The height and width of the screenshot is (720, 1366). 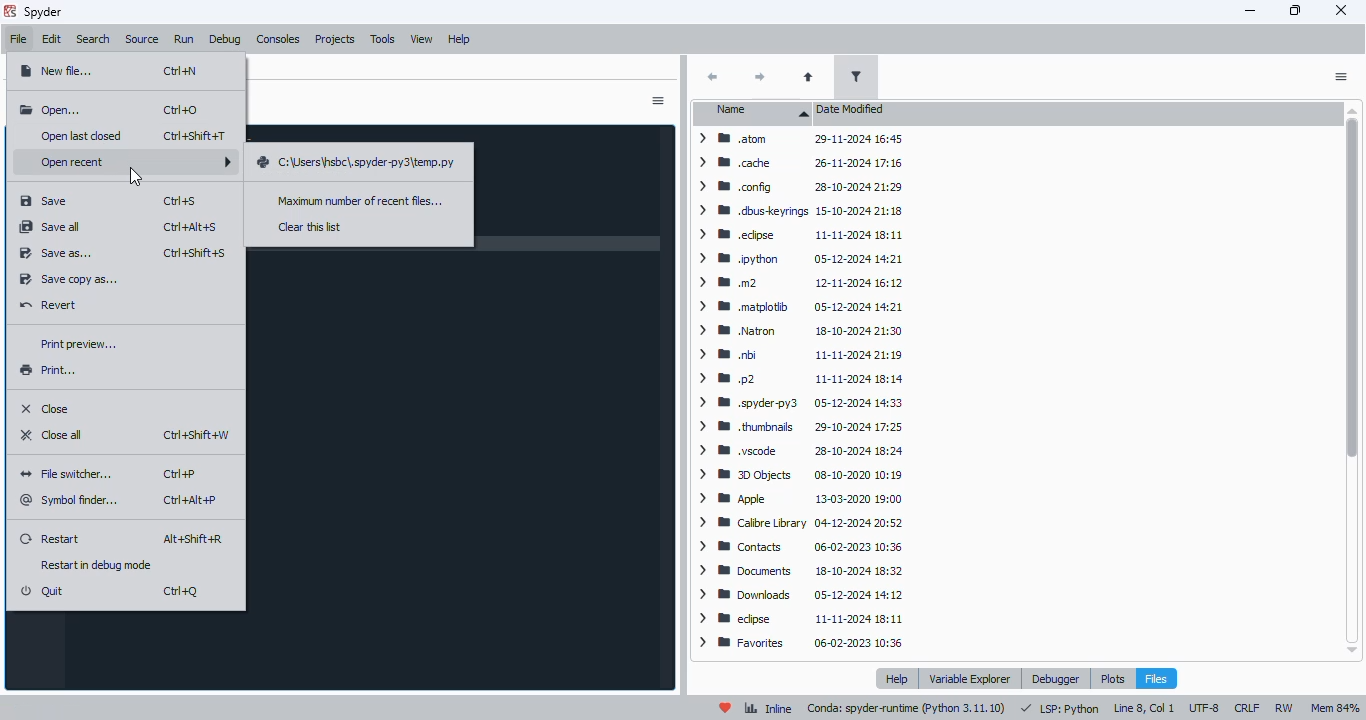 I want to click on > mm 12-11-2024 16:12, so click(x=800, y=284).